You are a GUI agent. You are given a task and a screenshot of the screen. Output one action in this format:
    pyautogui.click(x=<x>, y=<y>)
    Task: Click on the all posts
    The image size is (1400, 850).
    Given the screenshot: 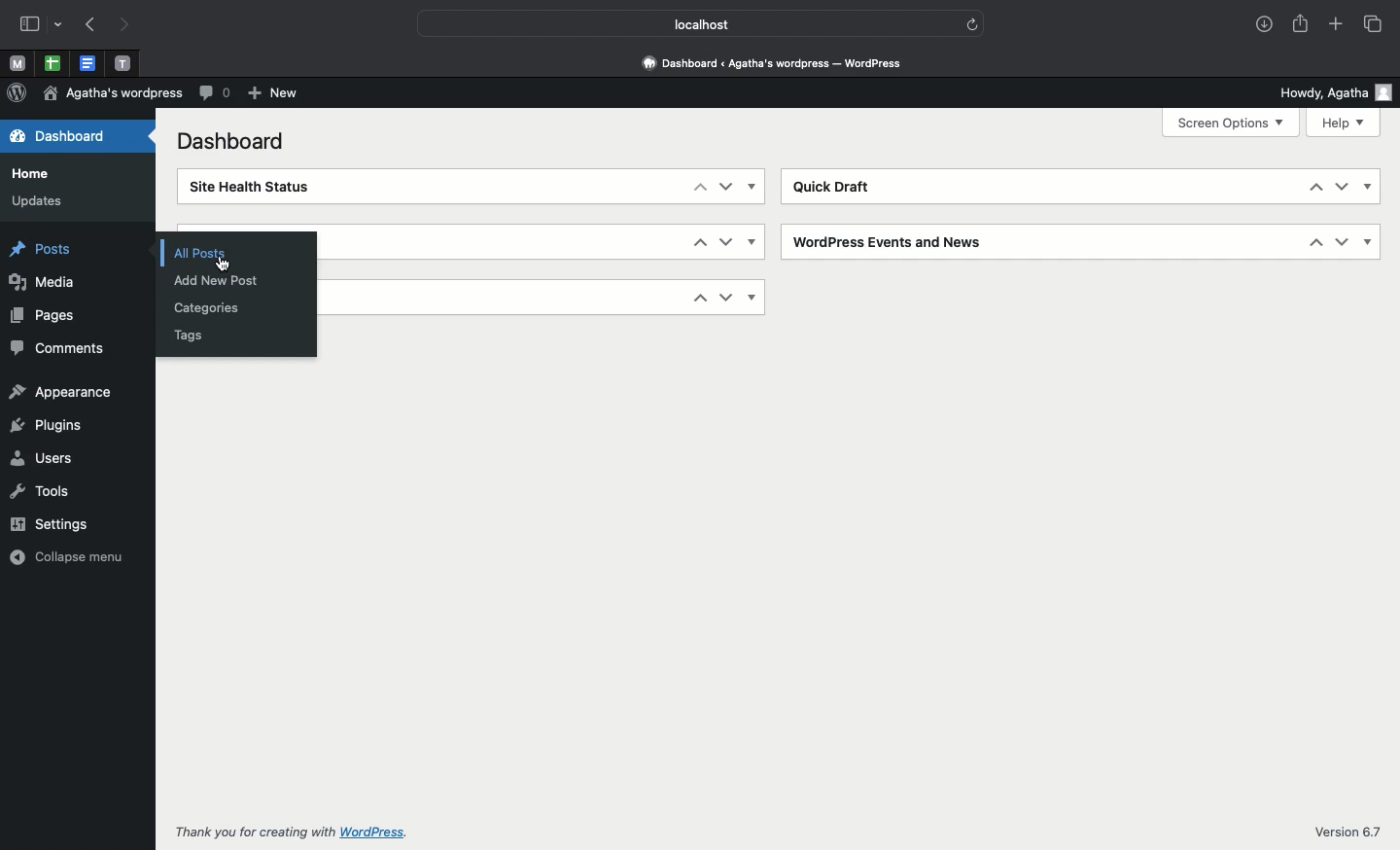 What is the action you would take?
    pyautogui.click(x=182, y=252)
    